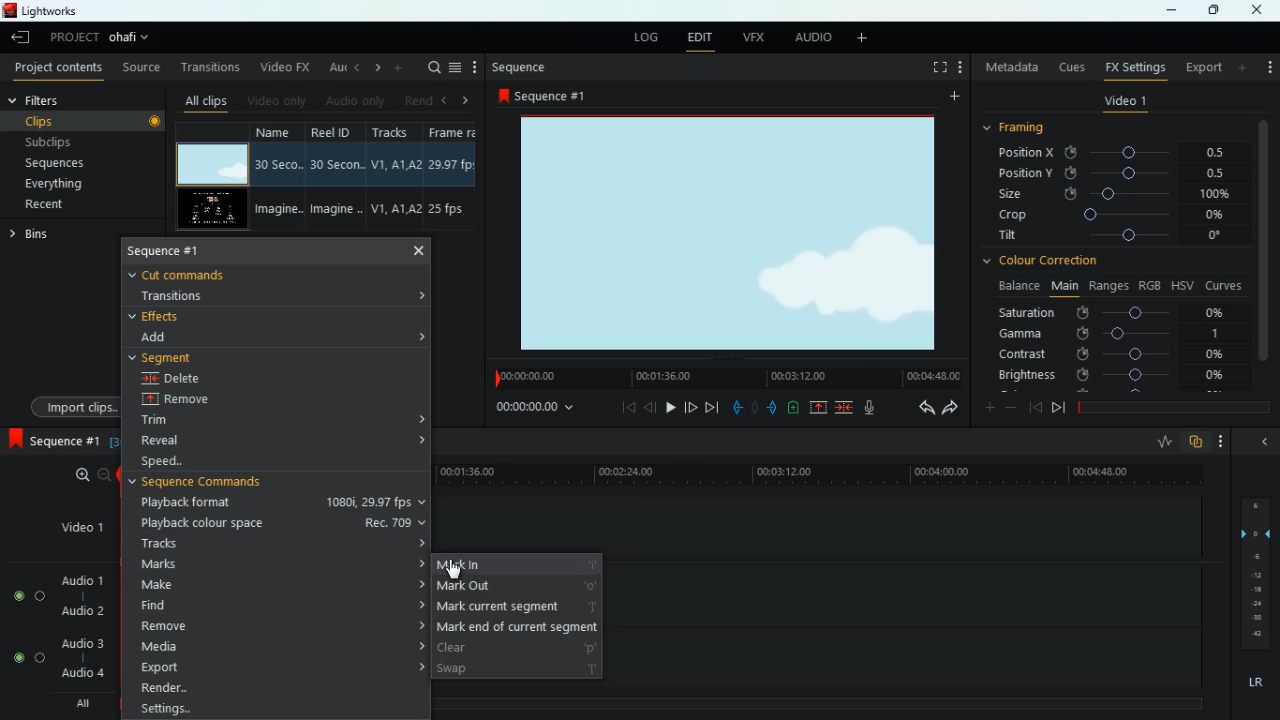 The image size is (1280, 720). What do you see at coordinates (1161, 444) in the screenshot?
I see `rate` at bounding box center [1161, 444].